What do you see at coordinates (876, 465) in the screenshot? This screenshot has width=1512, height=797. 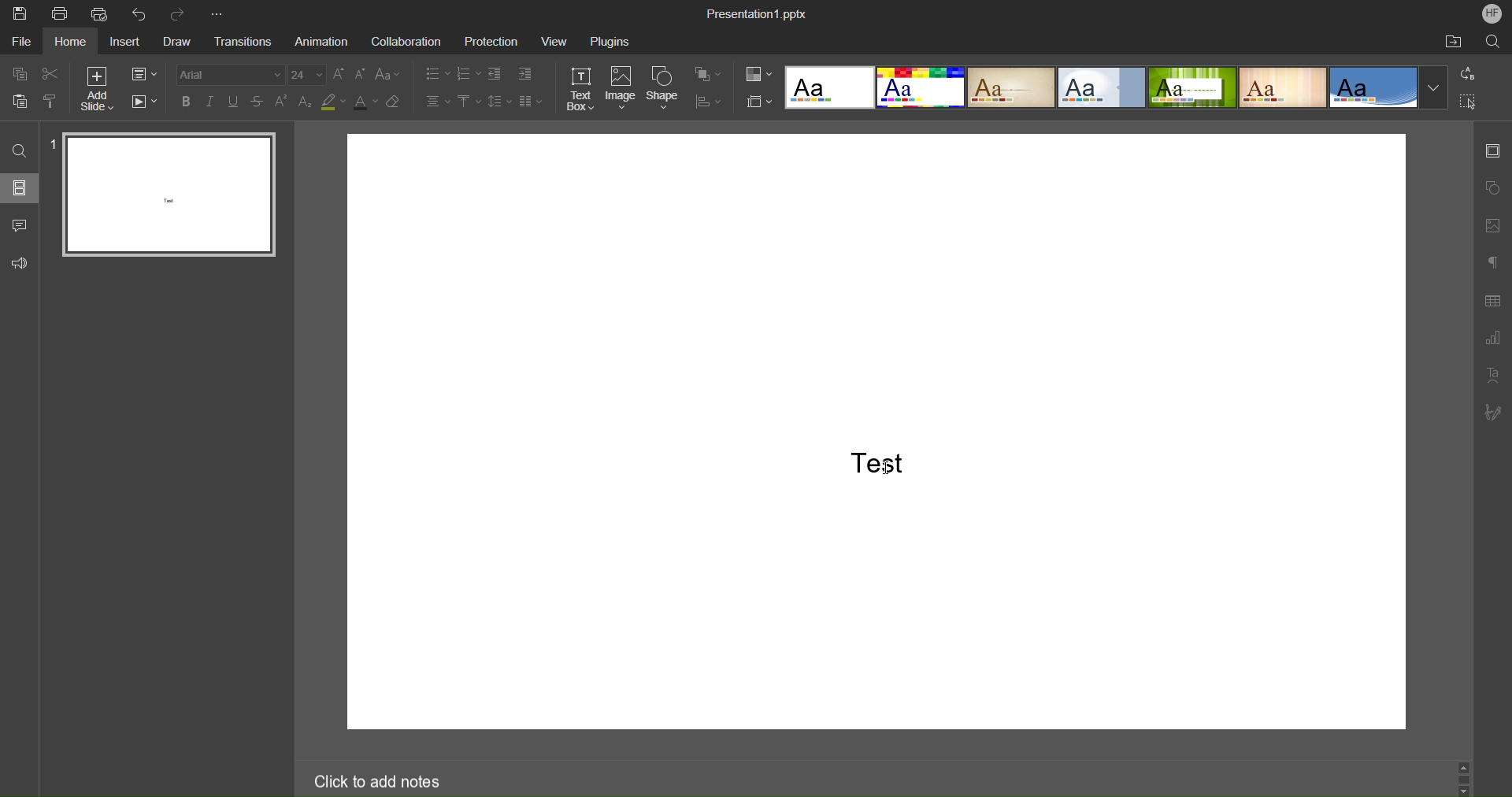 I see `Test` at bounding box center [876, 465].